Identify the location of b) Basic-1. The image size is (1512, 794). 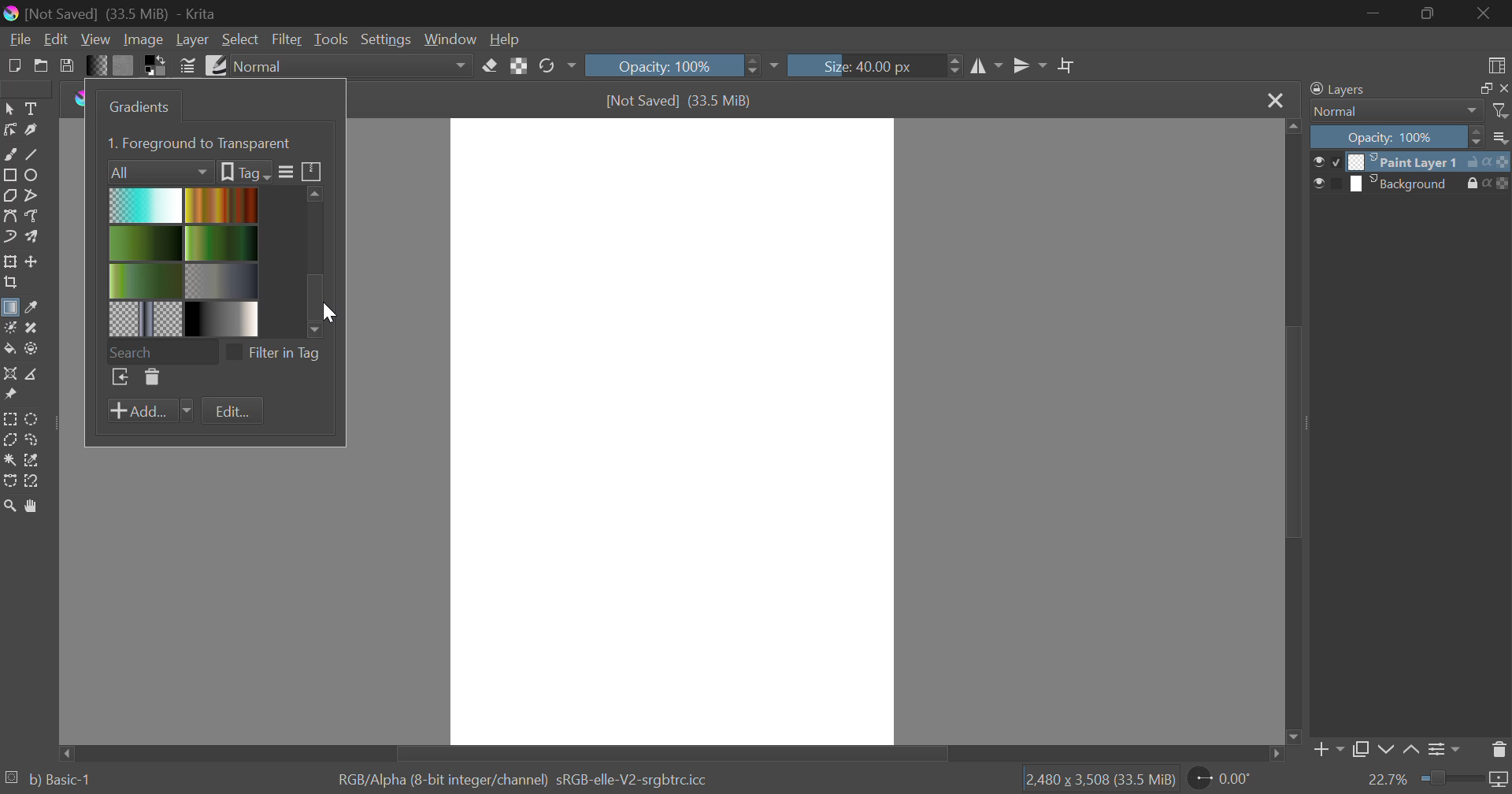
(49, 781).